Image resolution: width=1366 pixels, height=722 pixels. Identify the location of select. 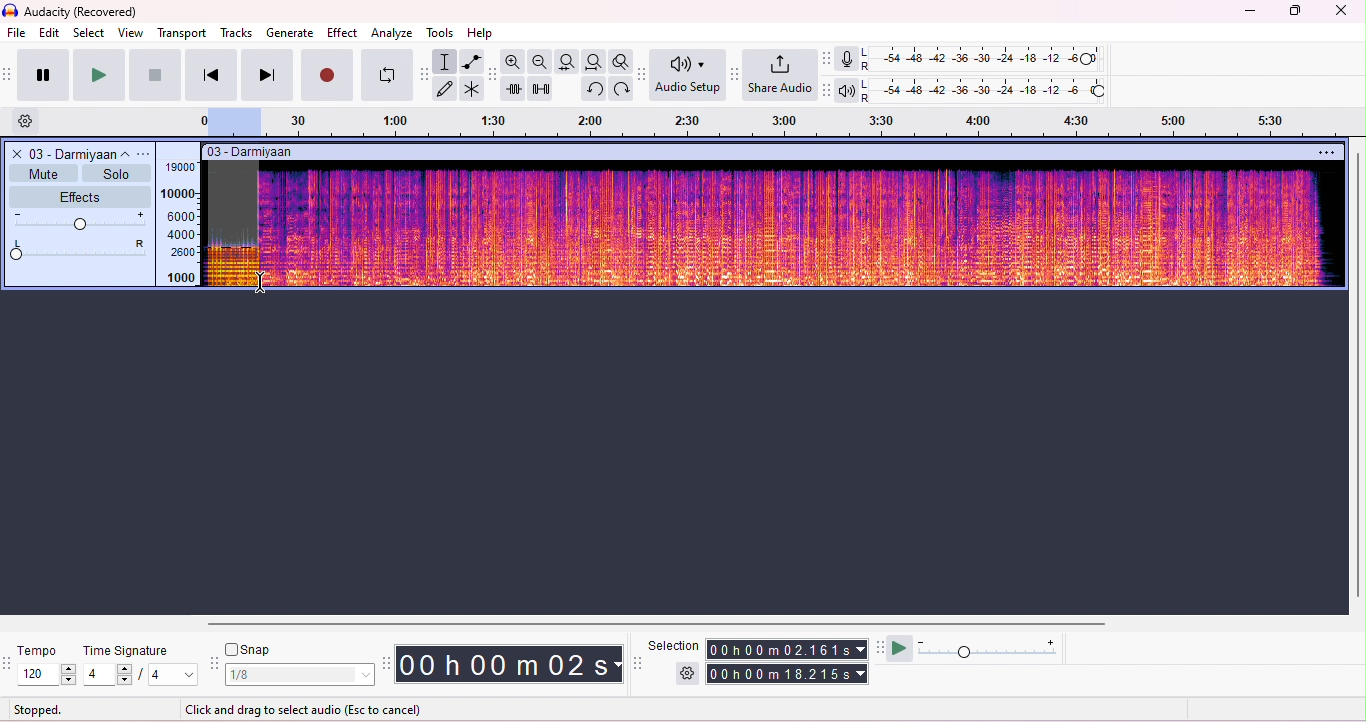
(91, 34).